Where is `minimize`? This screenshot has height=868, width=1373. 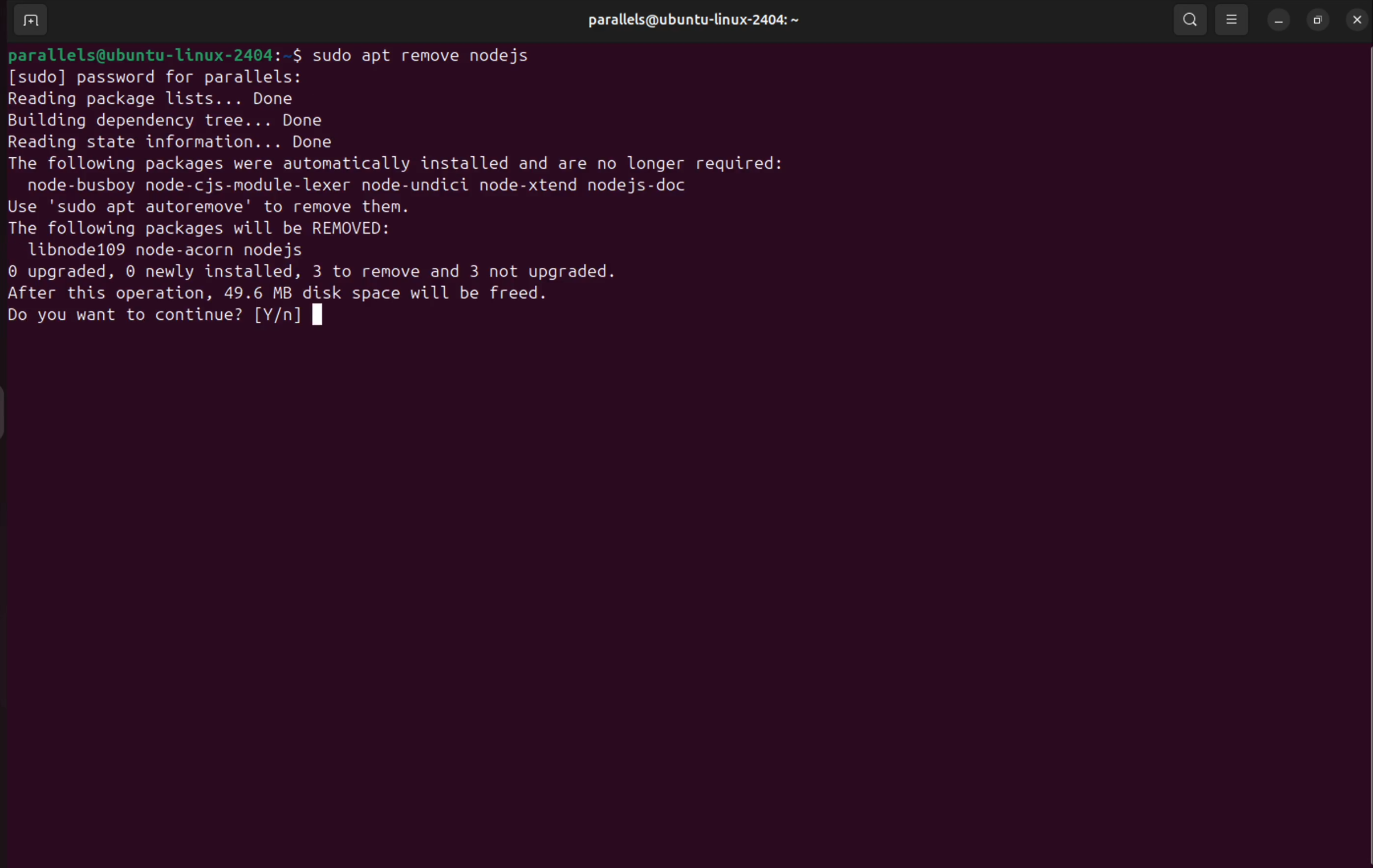
minimize is located at coordinates (1277, 21).